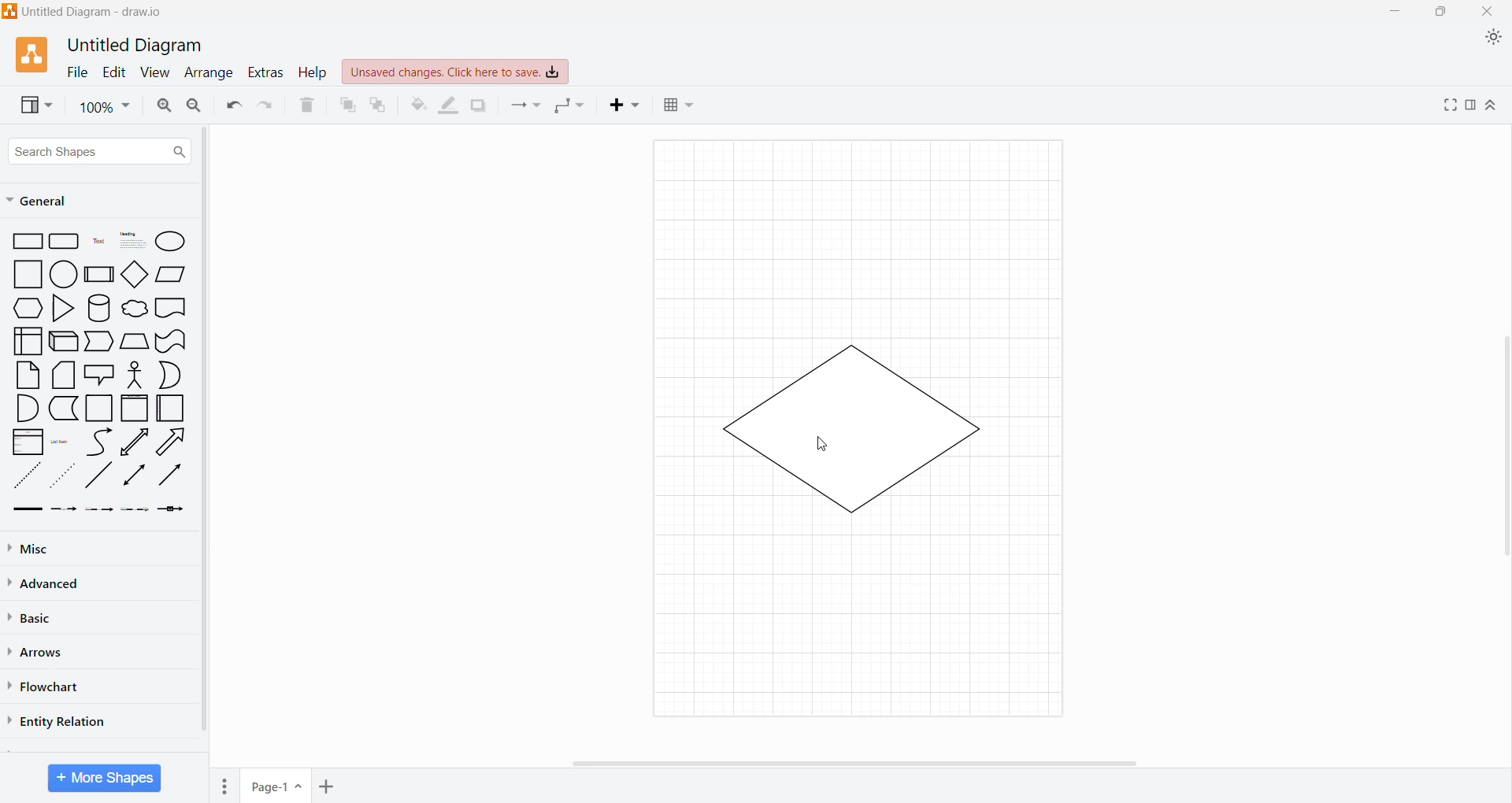  I want to click on View, so click(154, 73).